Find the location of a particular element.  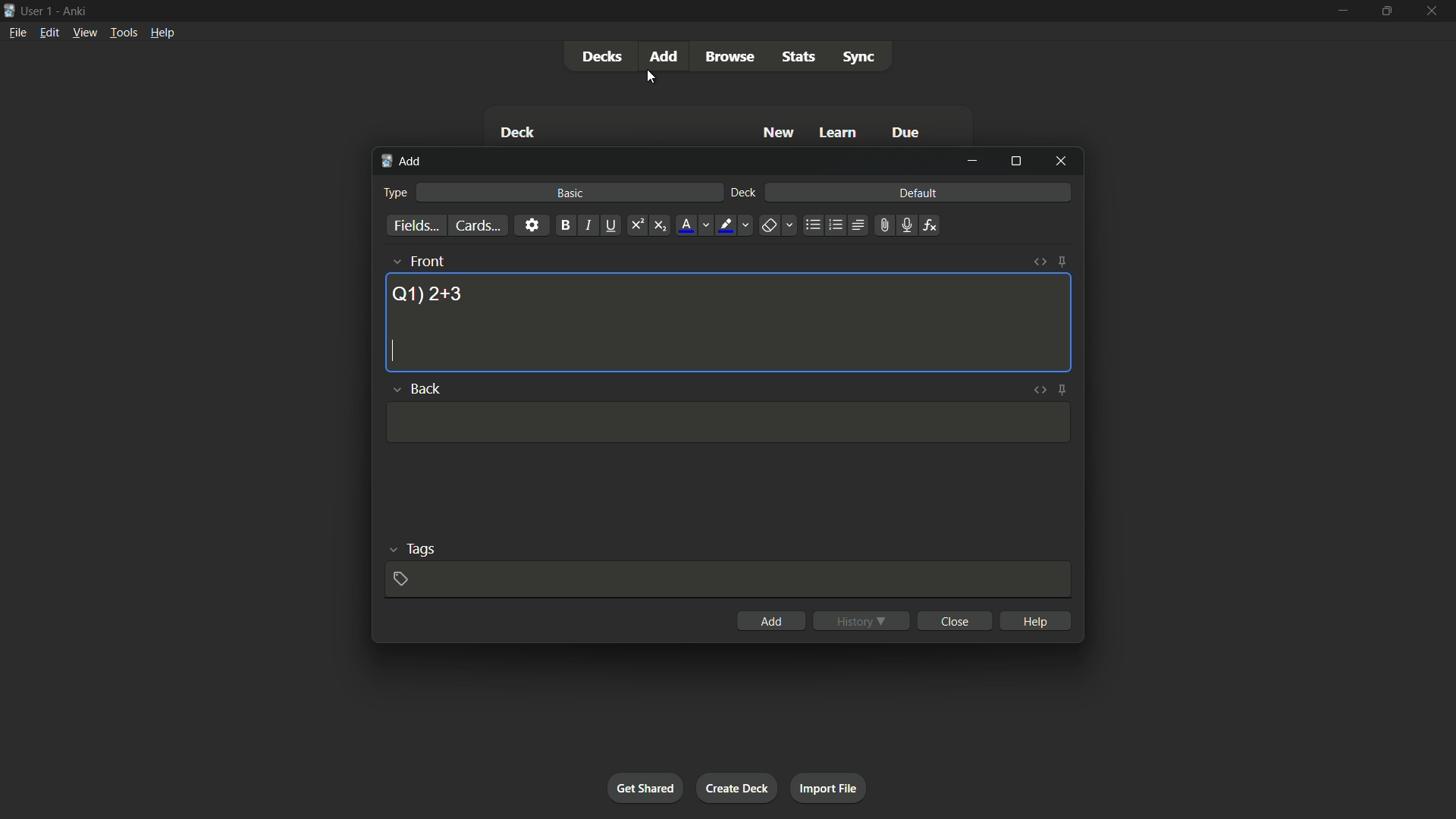

supercript is located at coordinates (635, 226).